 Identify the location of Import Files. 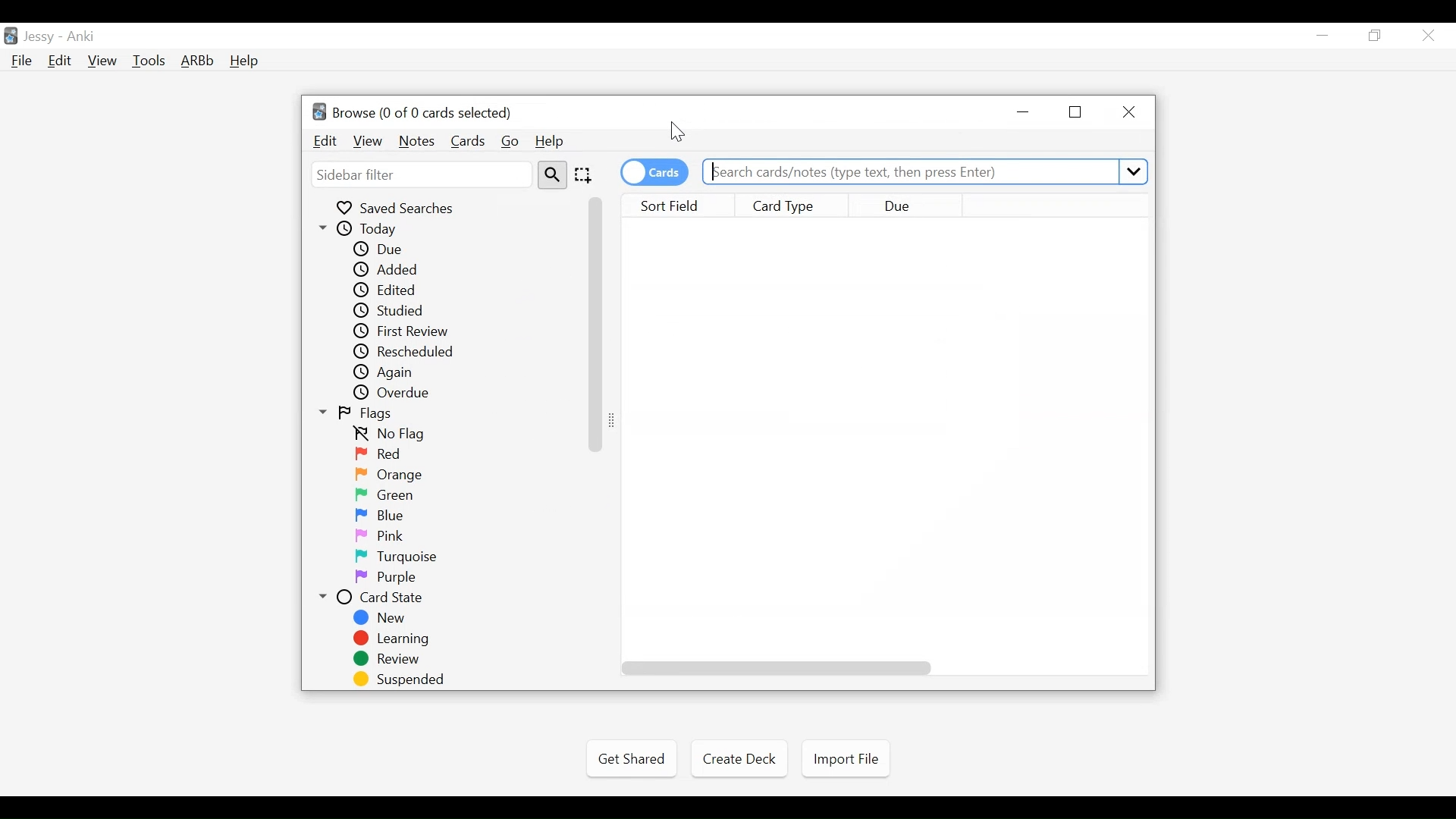
(846, 761).